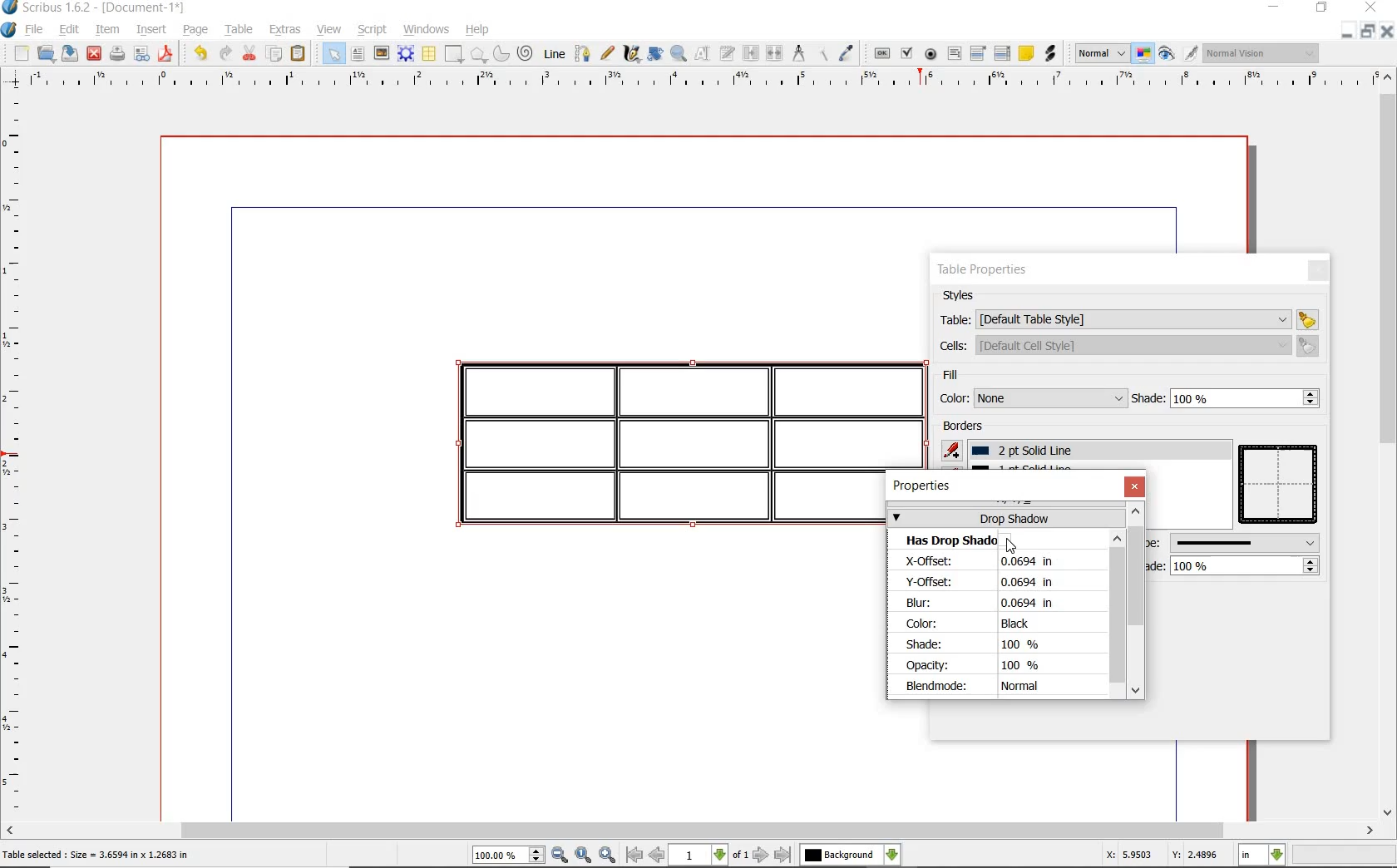 The image size is (1397, 868). I want to click on drop shadow, so click(1005, 517).